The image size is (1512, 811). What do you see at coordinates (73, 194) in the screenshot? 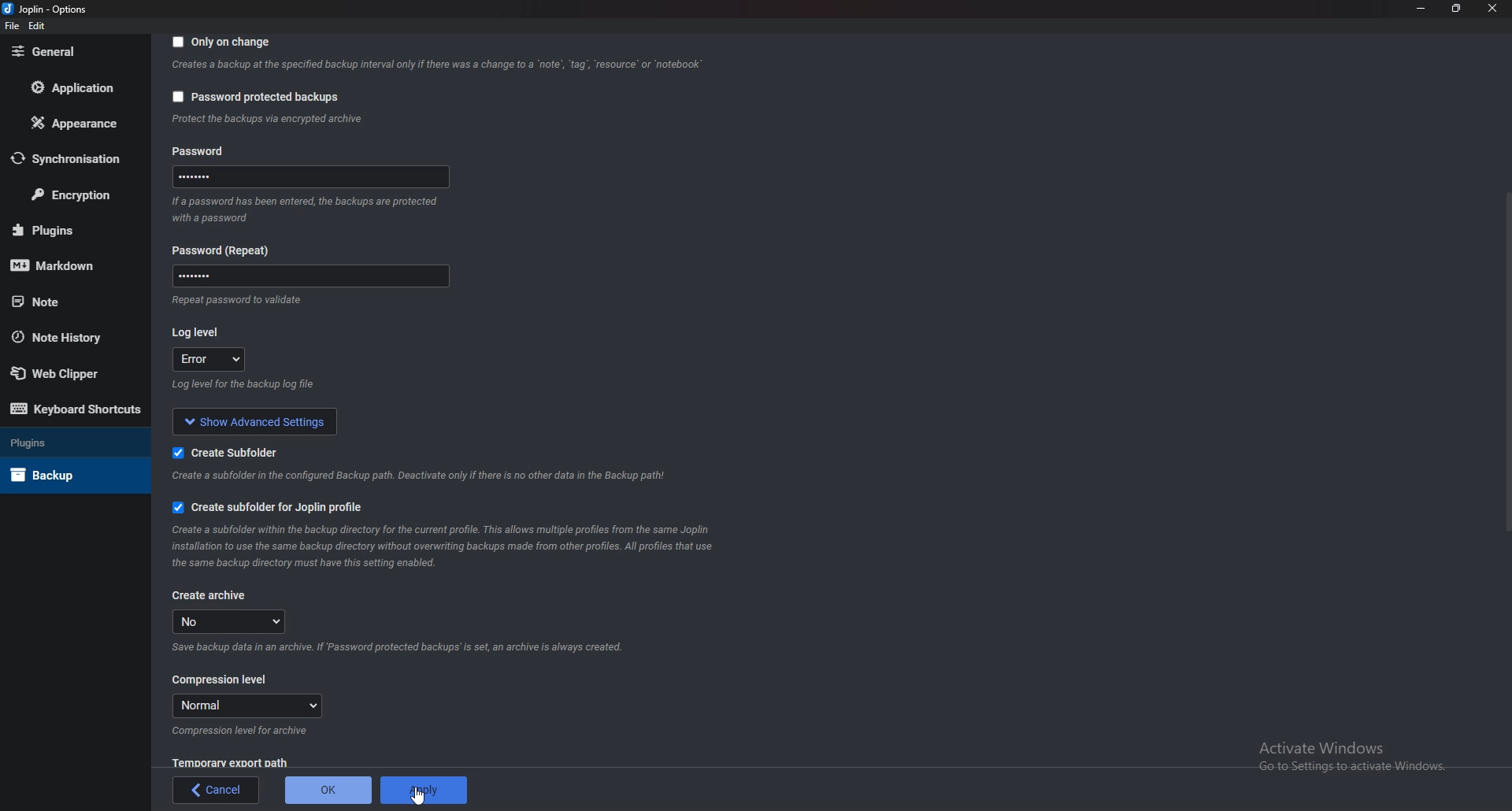
I see `Encryption` at bounding box center [73, 194].